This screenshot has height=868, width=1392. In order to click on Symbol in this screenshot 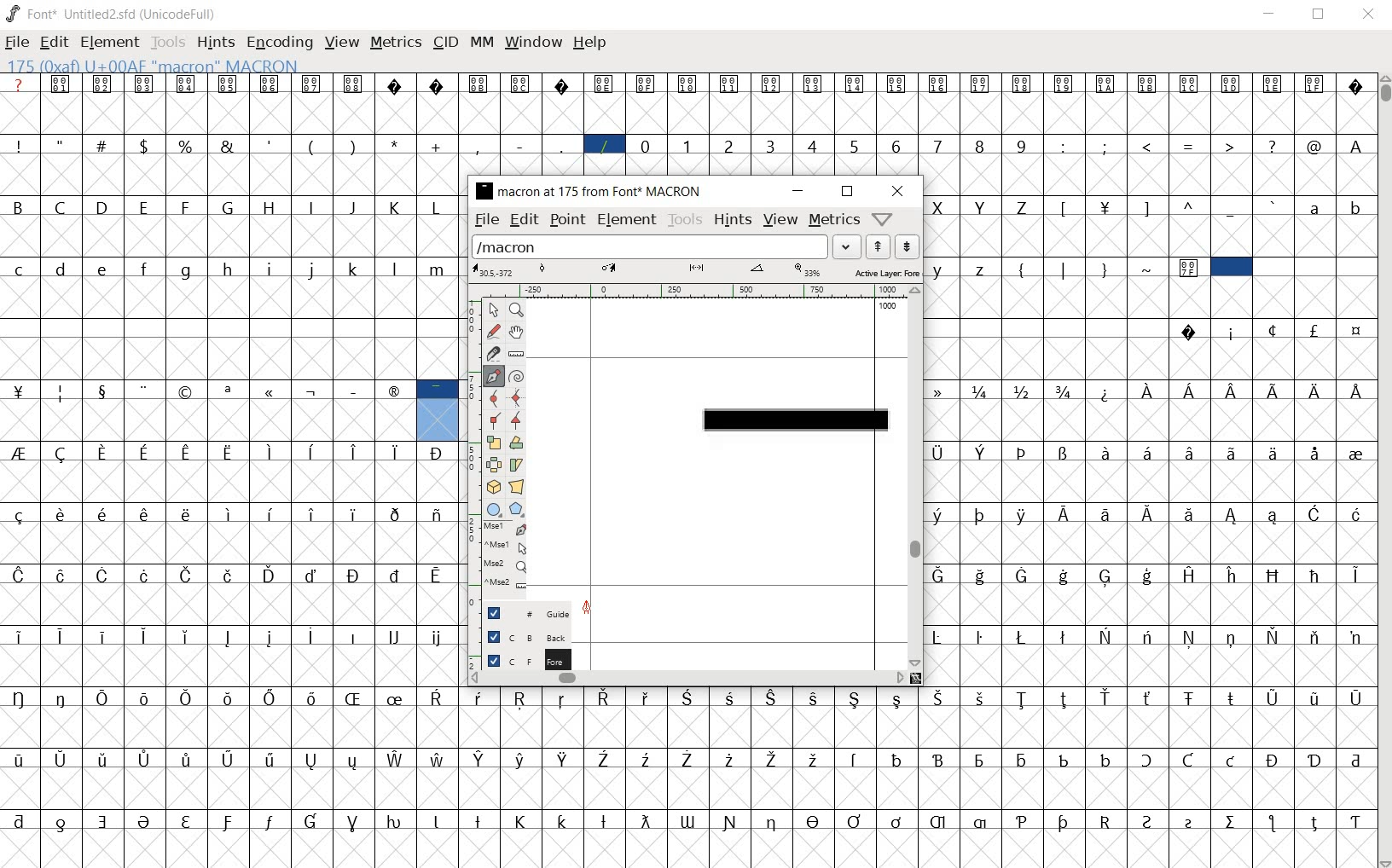, I will do `click(1146, 637)`.